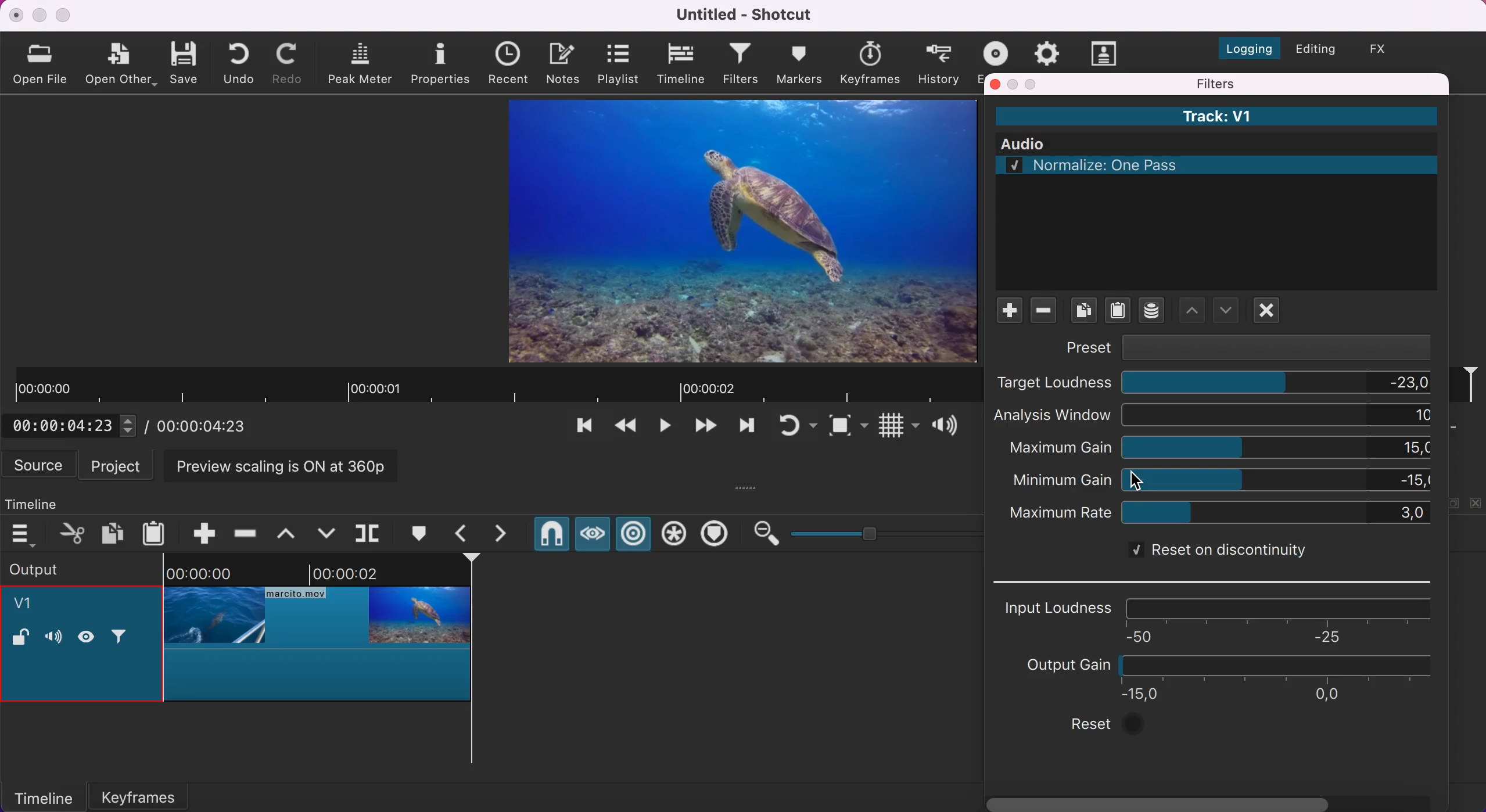  What do you see at coordinates (30, 605) in the screenshot?
I see `v1` at bounding box center [30, 605].